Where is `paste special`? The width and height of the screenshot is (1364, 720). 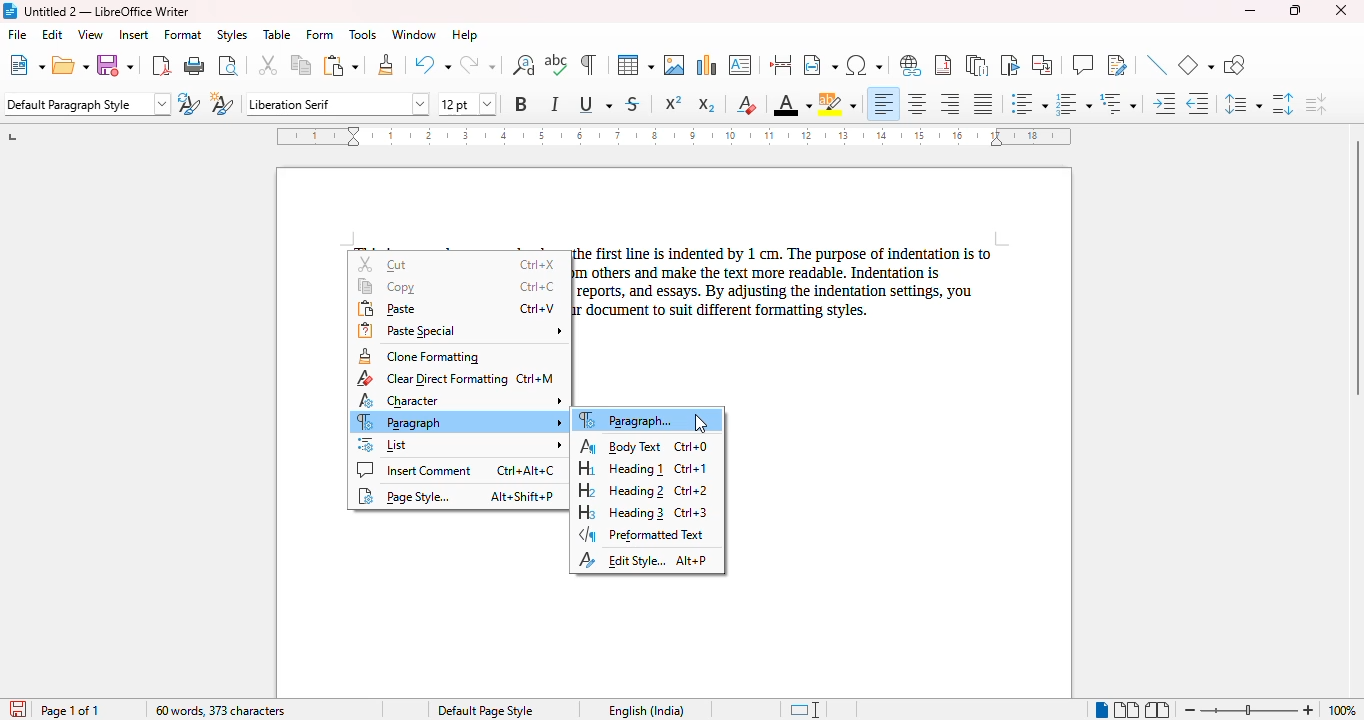 paste special is located at coordinates (460, 331).